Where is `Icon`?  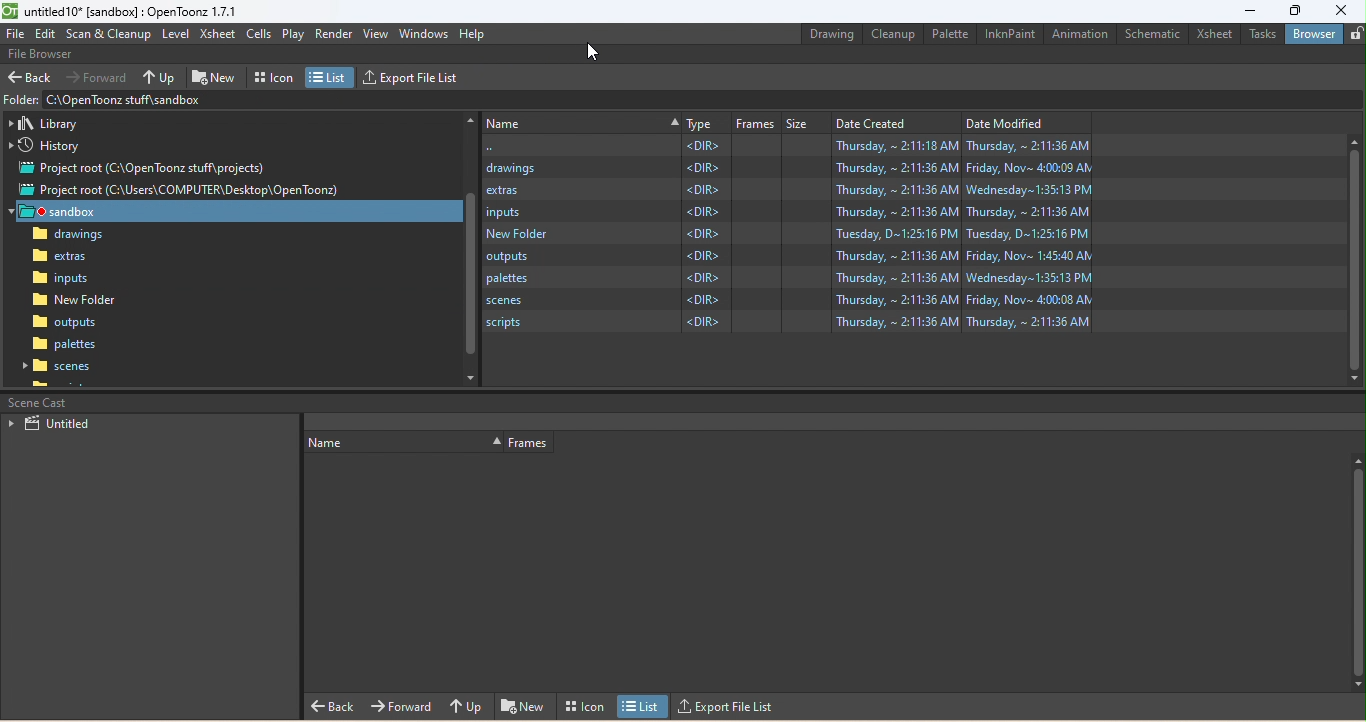
Icon is located at coordinates (274, 77).